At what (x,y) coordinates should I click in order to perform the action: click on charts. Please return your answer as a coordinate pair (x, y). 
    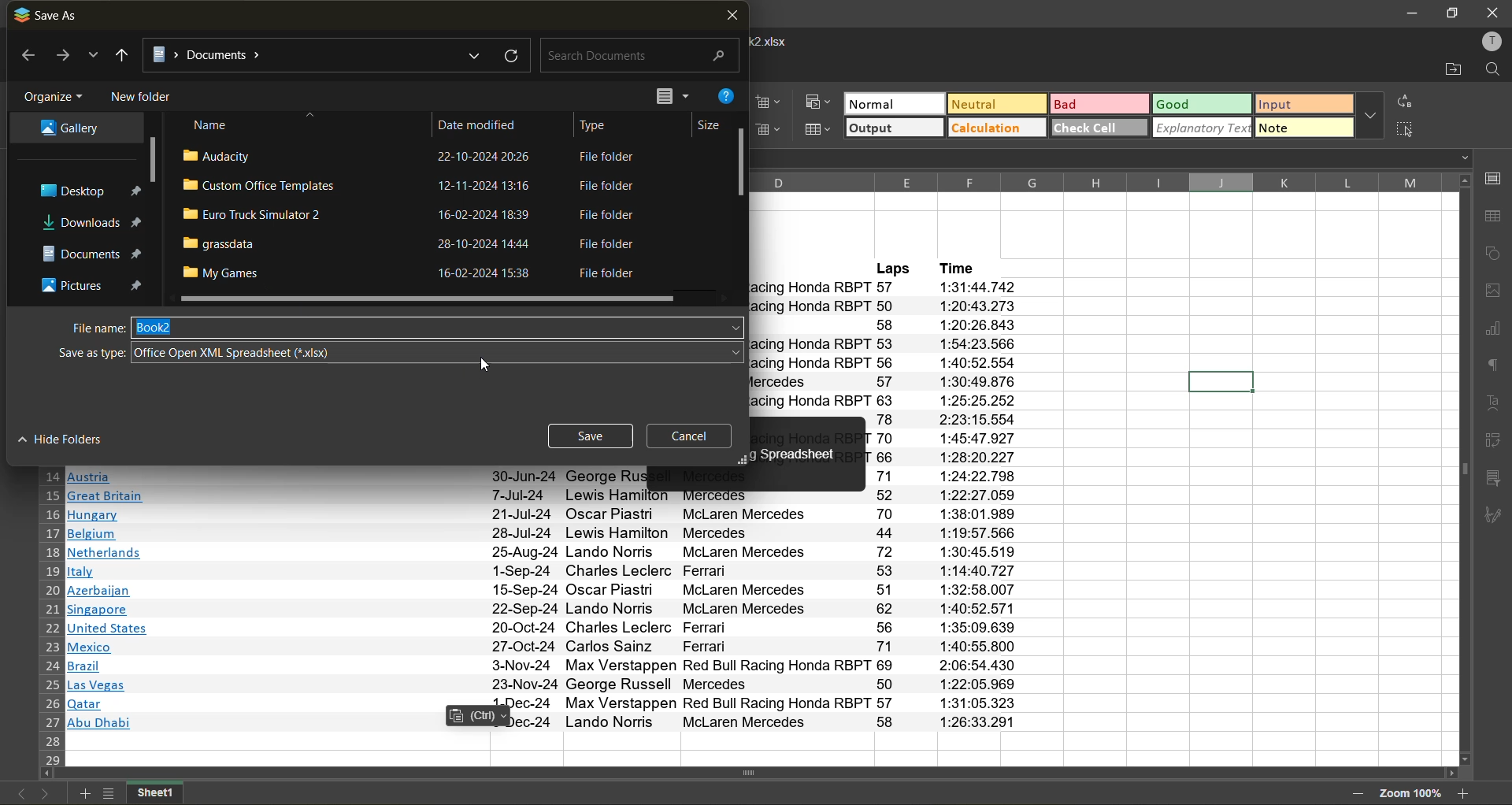
    Looking at the image, I should click on (1492, 331).